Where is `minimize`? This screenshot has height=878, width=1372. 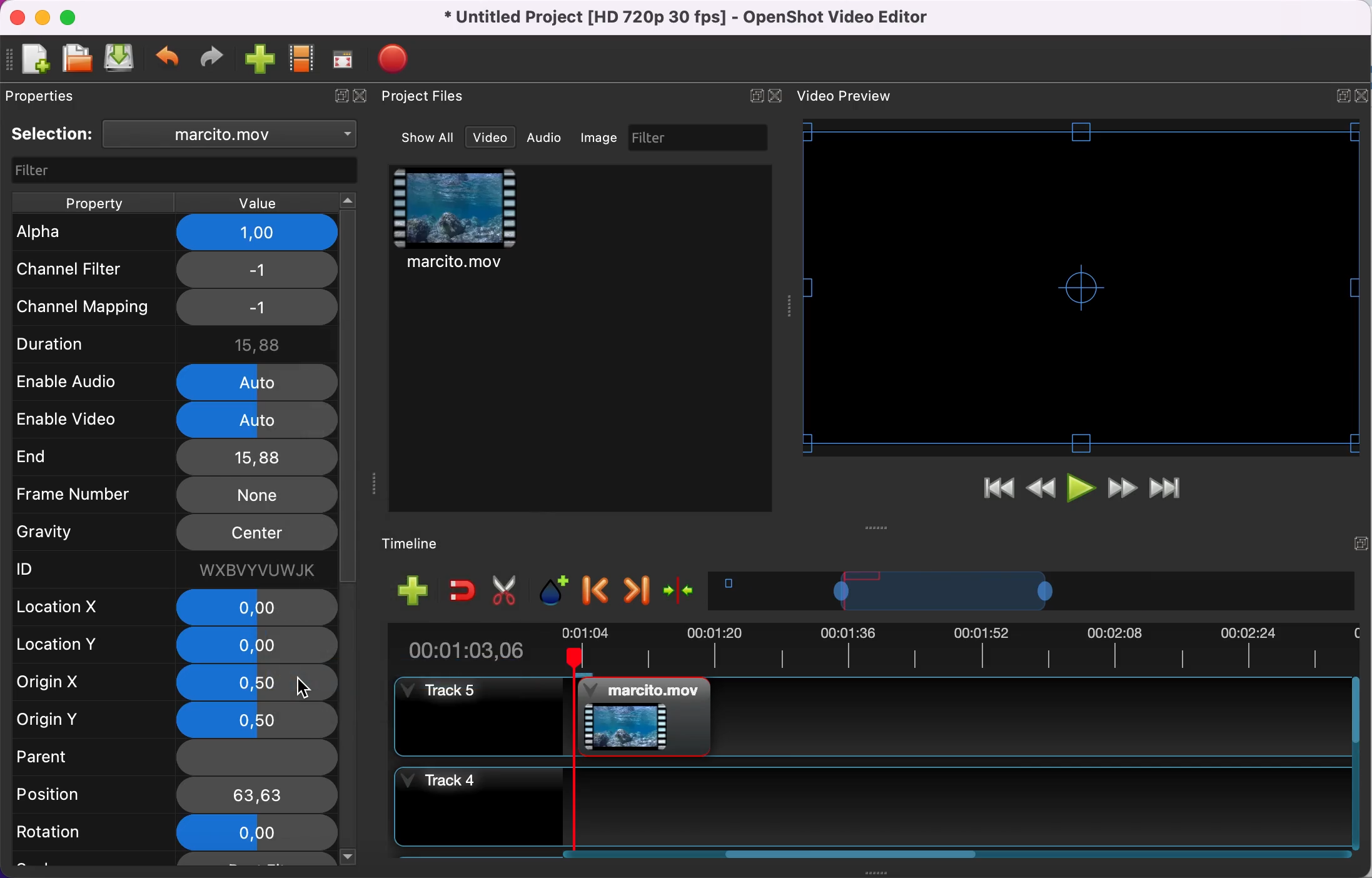 minimize is located at coordinates (42, 17).